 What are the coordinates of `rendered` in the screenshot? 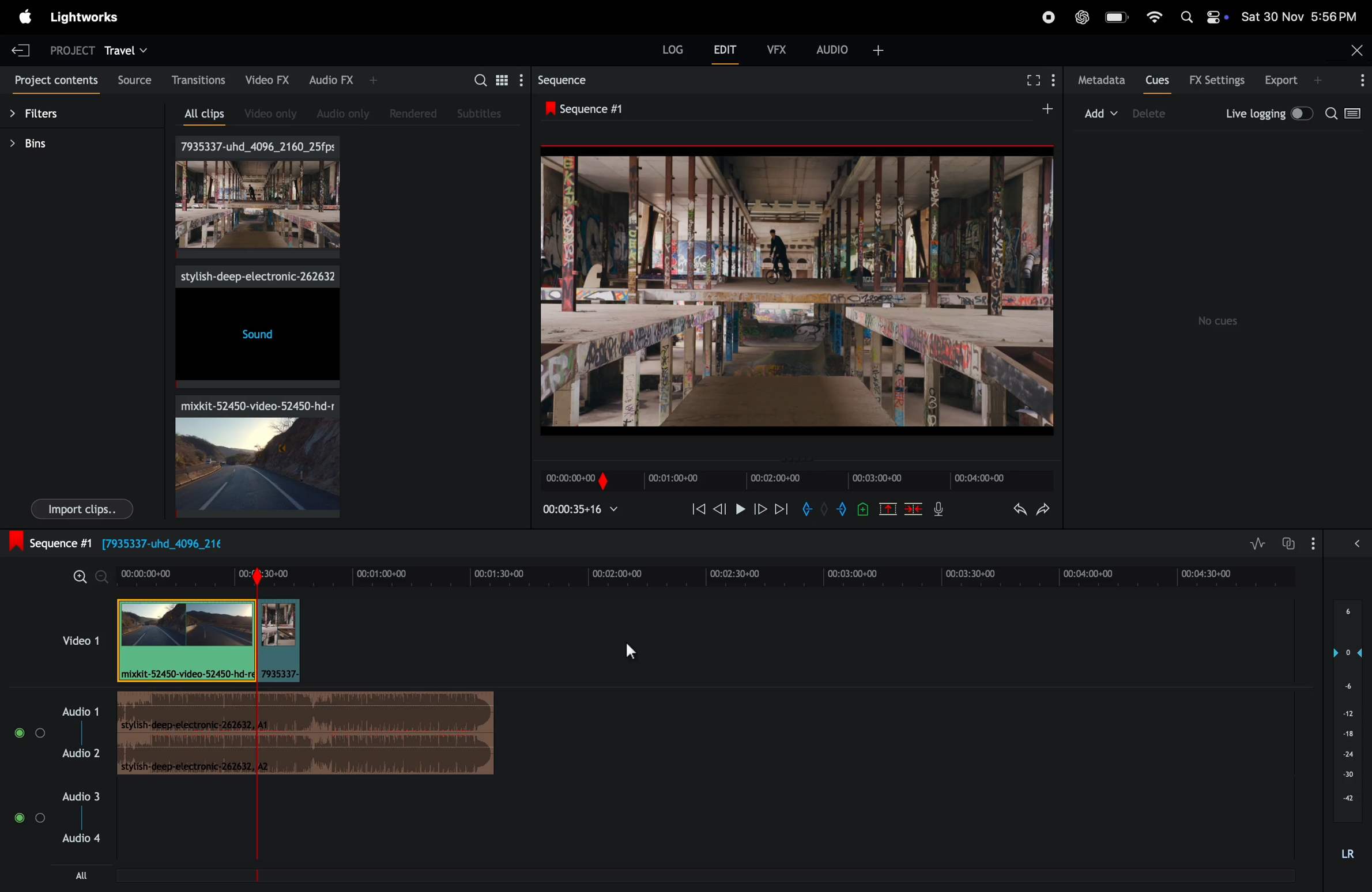 It's located at (417, 114).